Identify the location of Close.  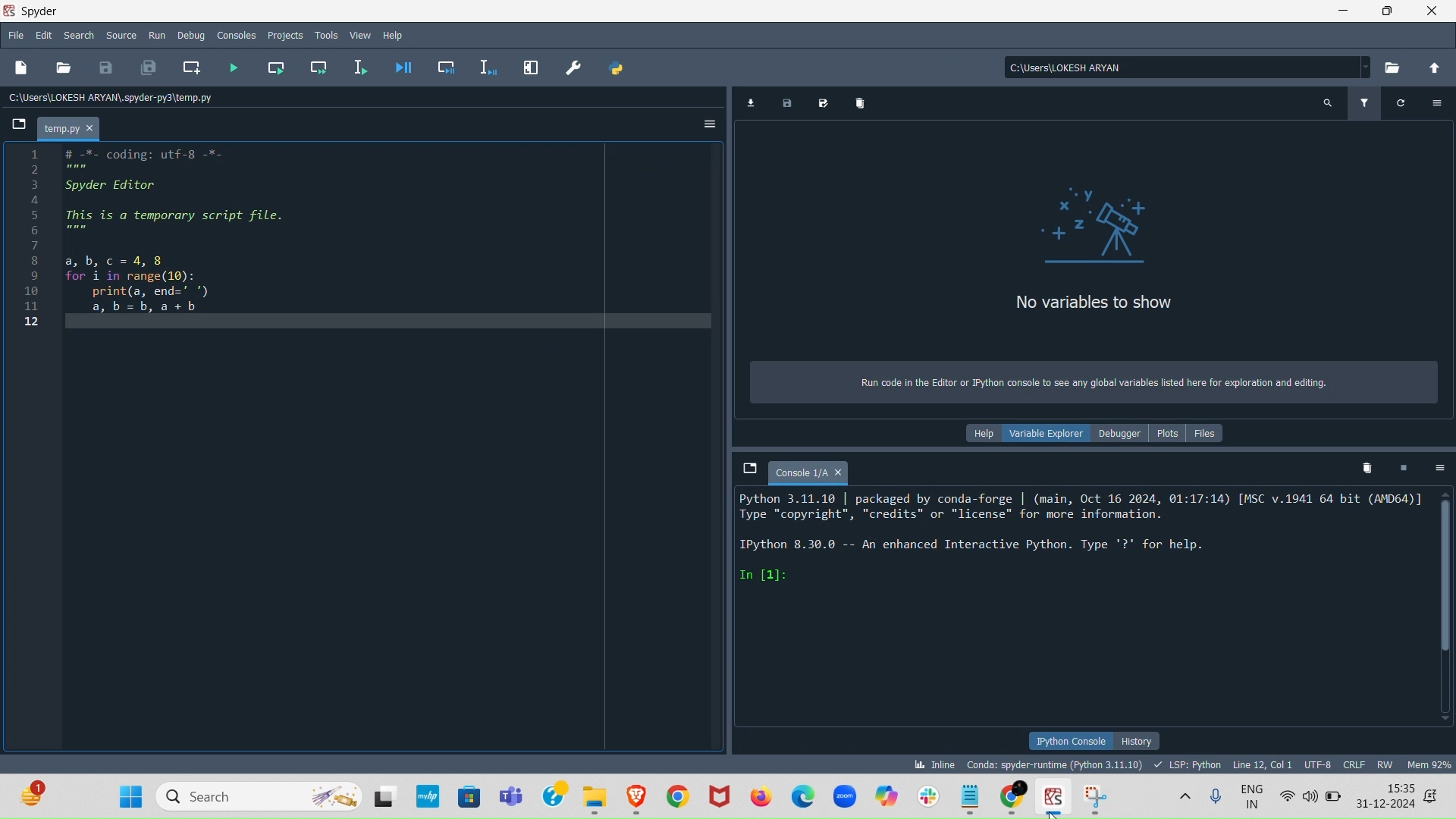
(1433, 11).